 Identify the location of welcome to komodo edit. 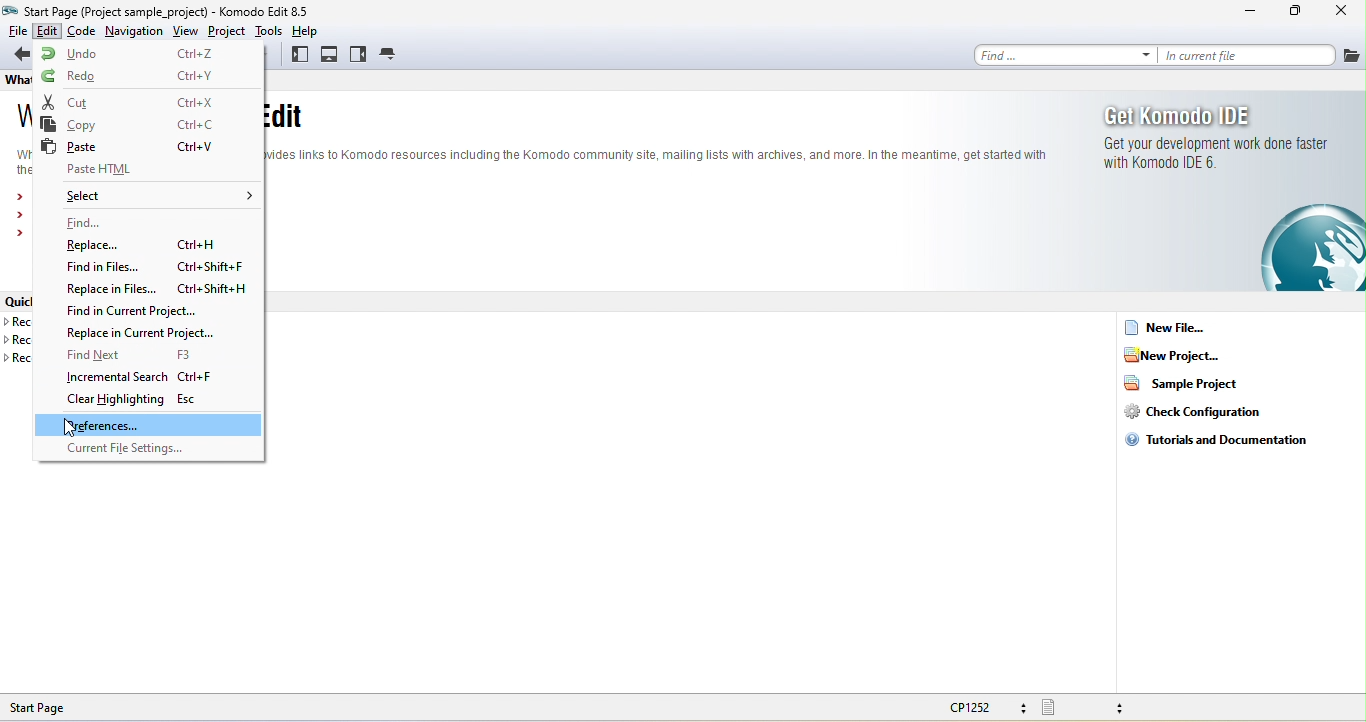
(288, 118).